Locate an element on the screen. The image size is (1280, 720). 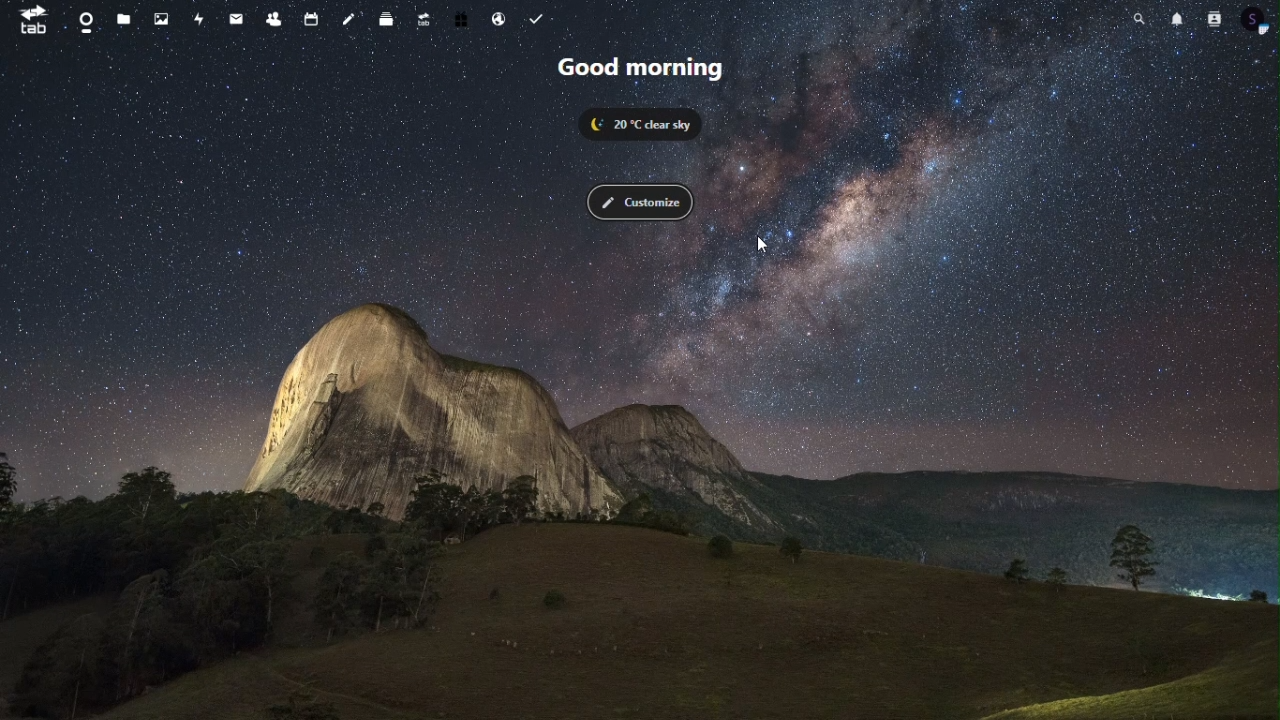
note is located at coordinates (350, 20).